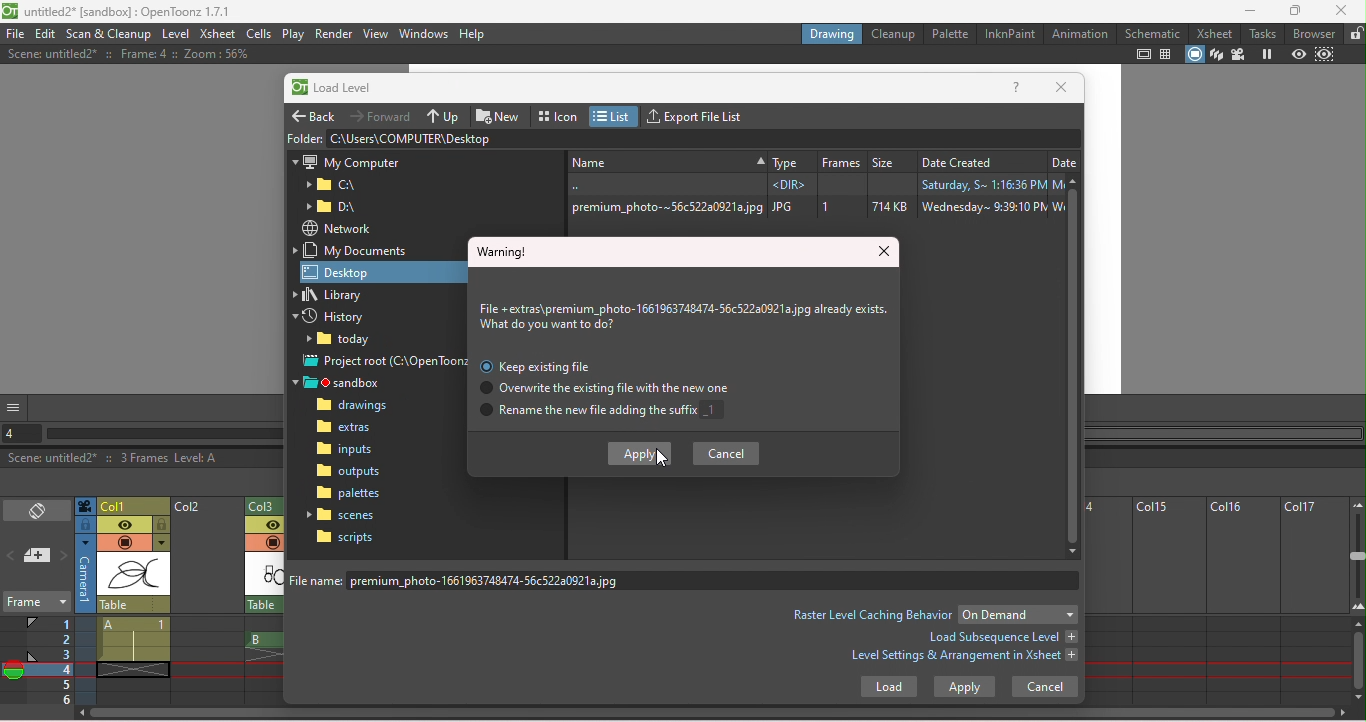 The width and height of the screenshot is (1366, 722). What do you see at coordinates (559, 114) in the screenshot?
I see `Icon` at bounding box center [559, 114].